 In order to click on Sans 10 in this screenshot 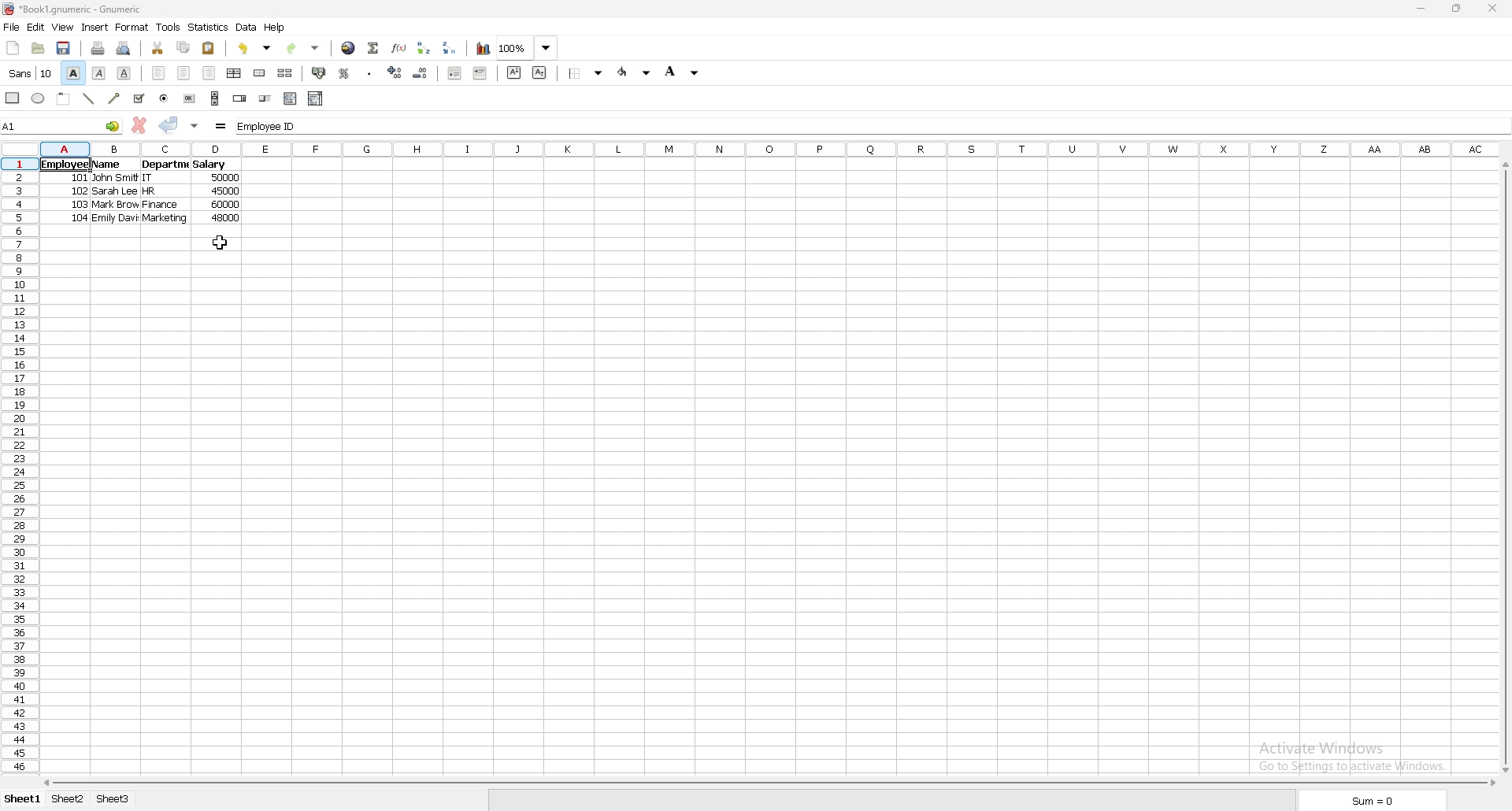, I will do `click(29, 74)`.